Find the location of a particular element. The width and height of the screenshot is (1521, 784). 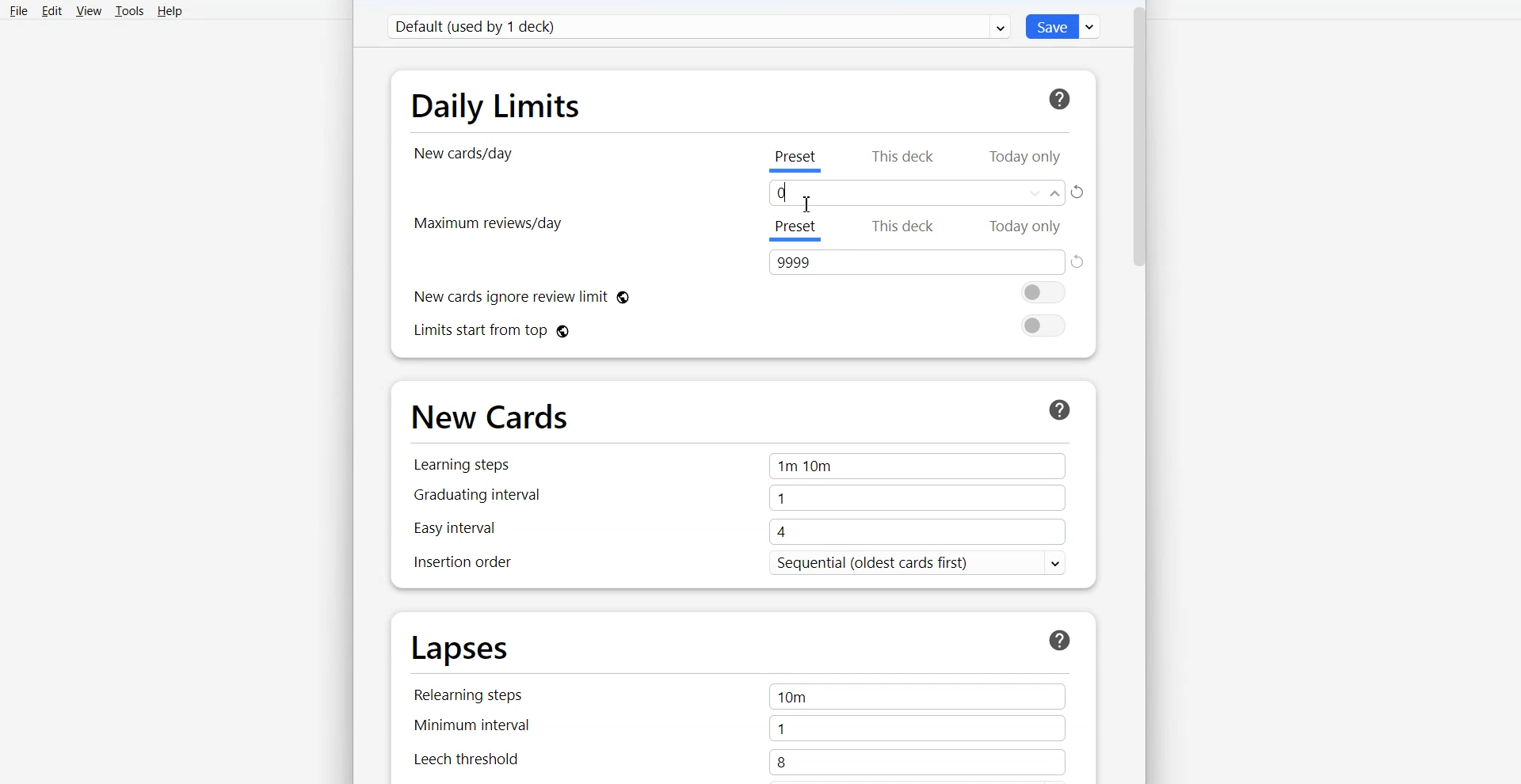

Tools is located at coordinates (128, 12).